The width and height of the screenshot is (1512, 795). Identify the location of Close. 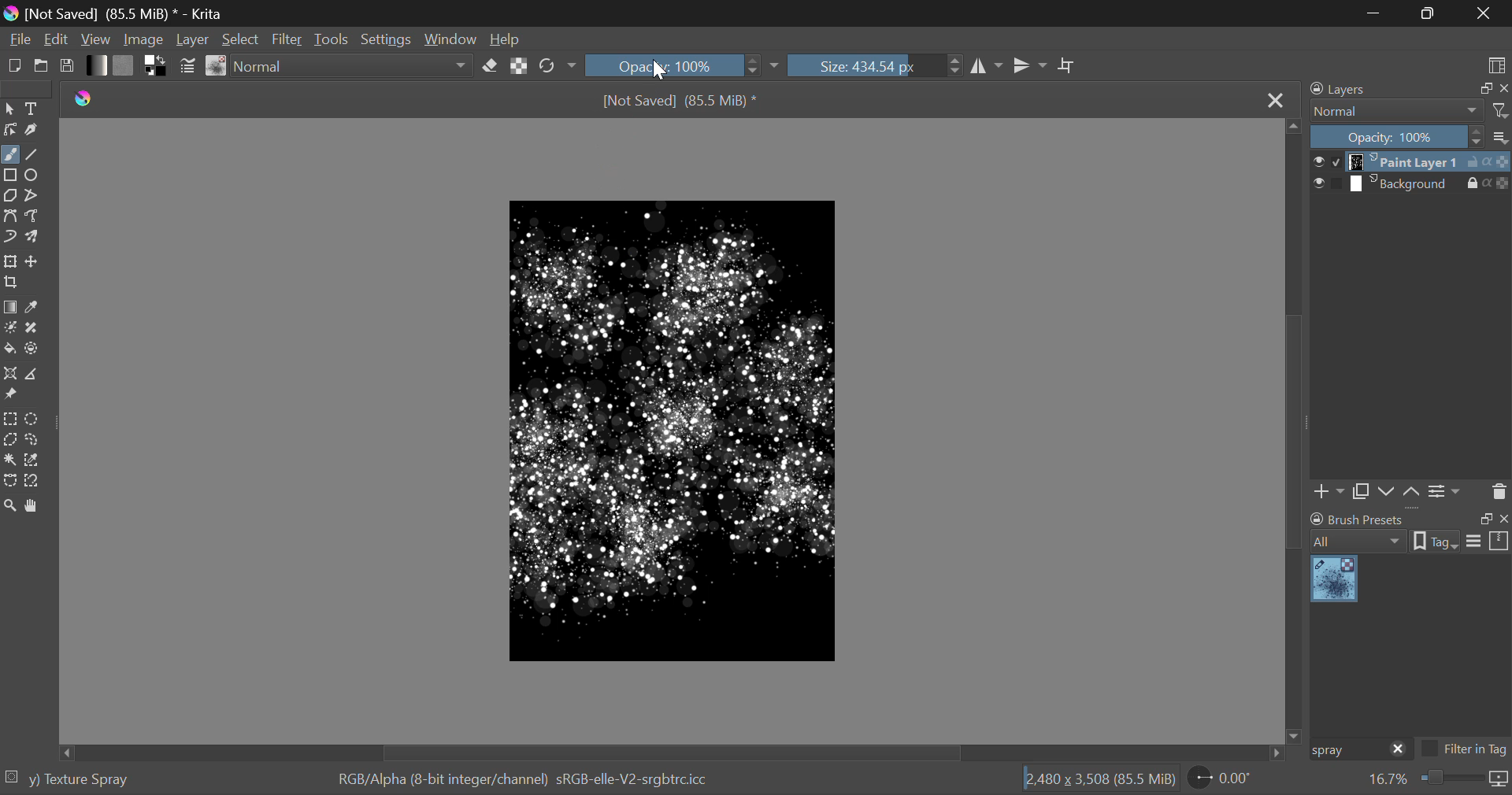
(1275, 102).